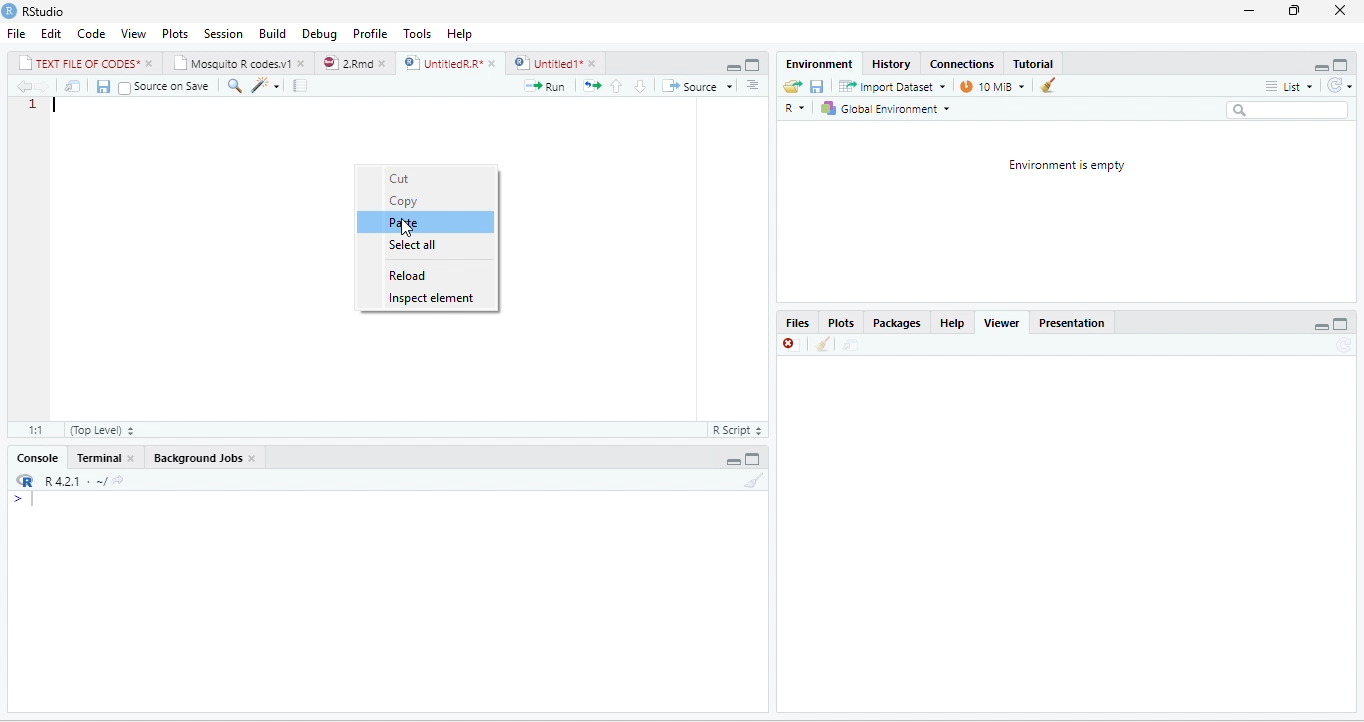 The height and width of the screenshot is (722, 1364). Describe the element at coordinates (688, 87) in the screenshot. I see `source` at that location.